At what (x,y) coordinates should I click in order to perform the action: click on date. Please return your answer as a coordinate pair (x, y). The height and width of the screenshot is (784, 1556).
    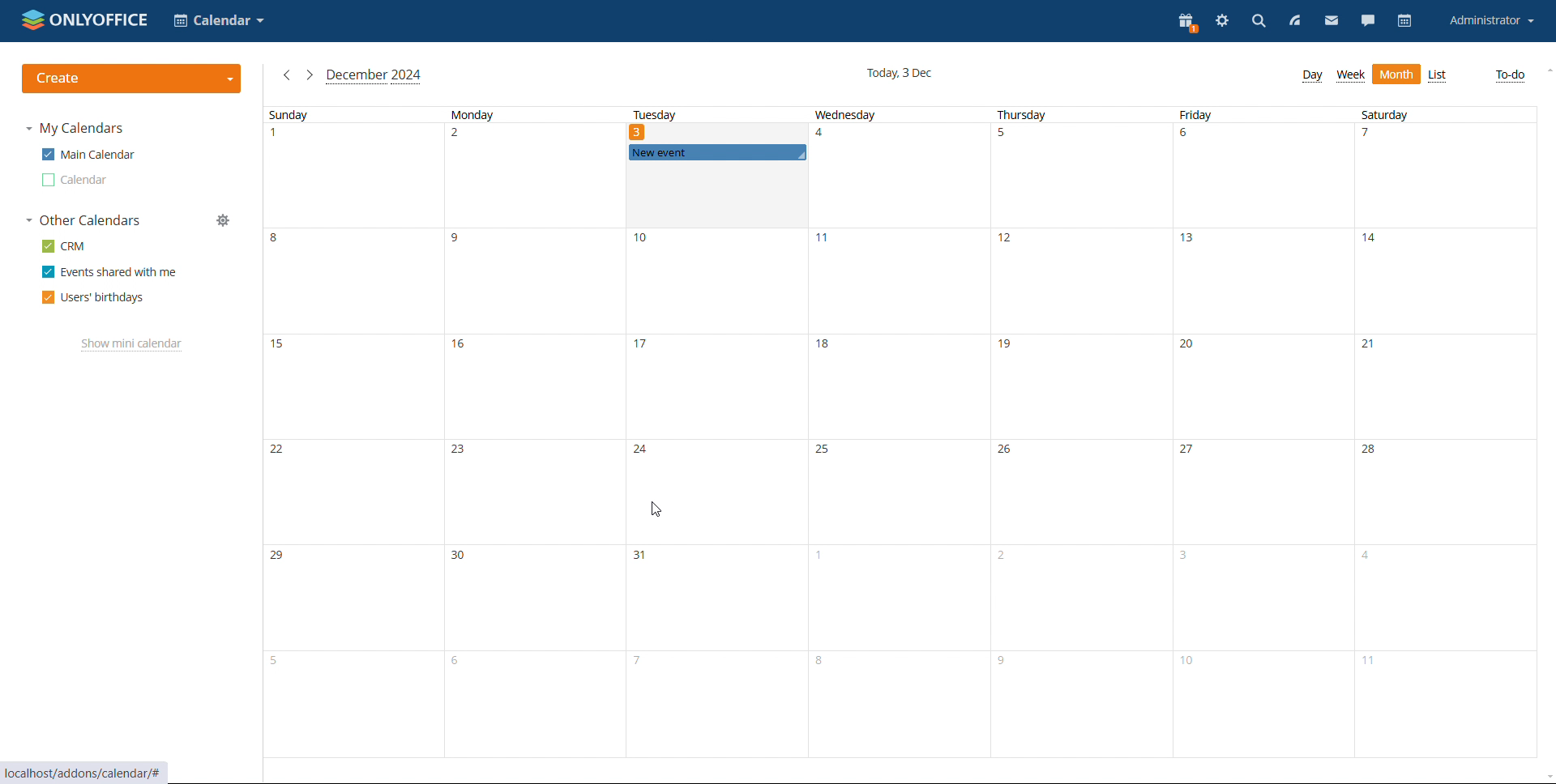
    Looking at the image, I should click on (902, 174).